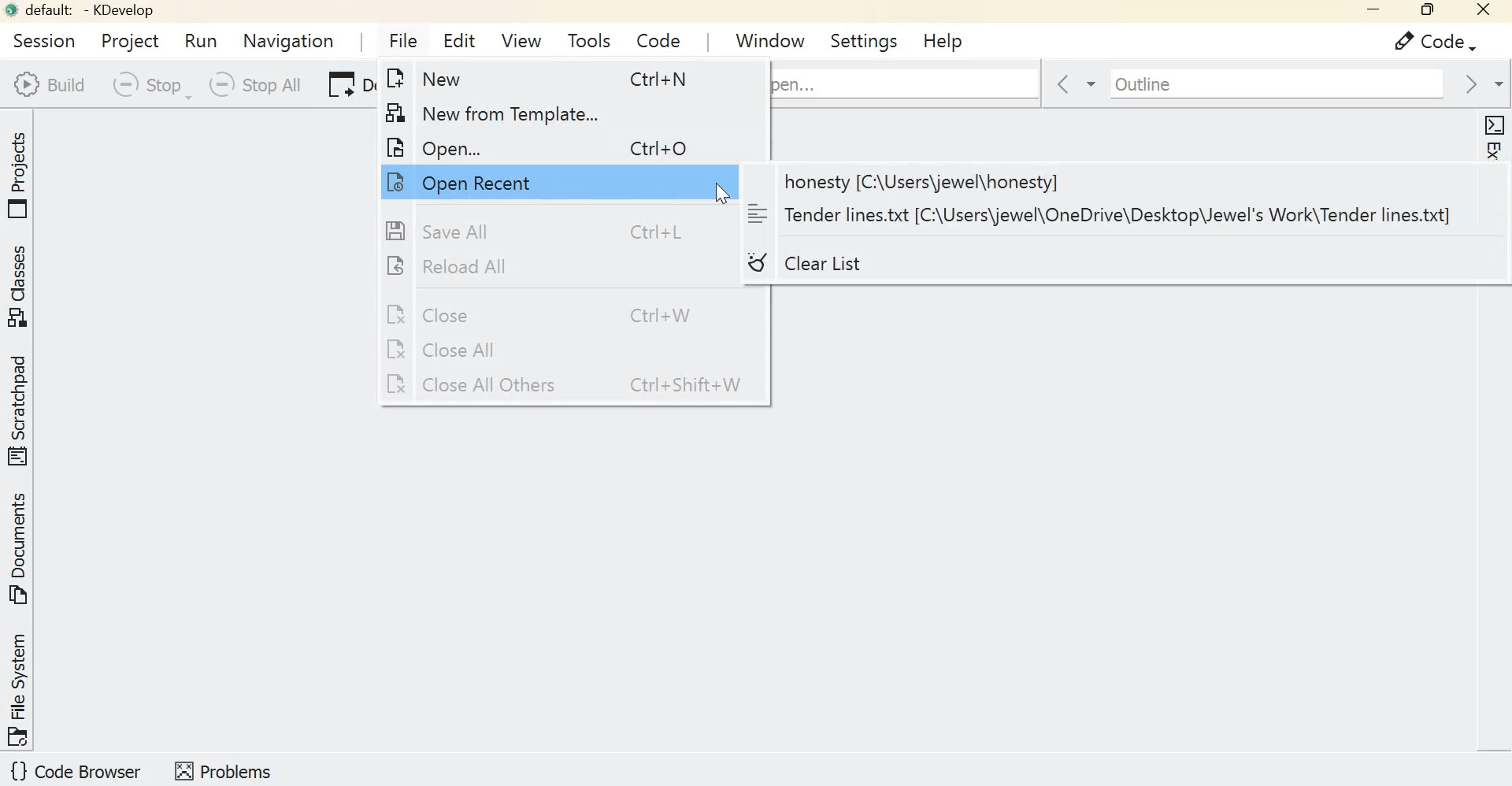 Image resolution: width=1512 pixels, height=786 pixels. I want to click on Outline, so click(1263, 83).